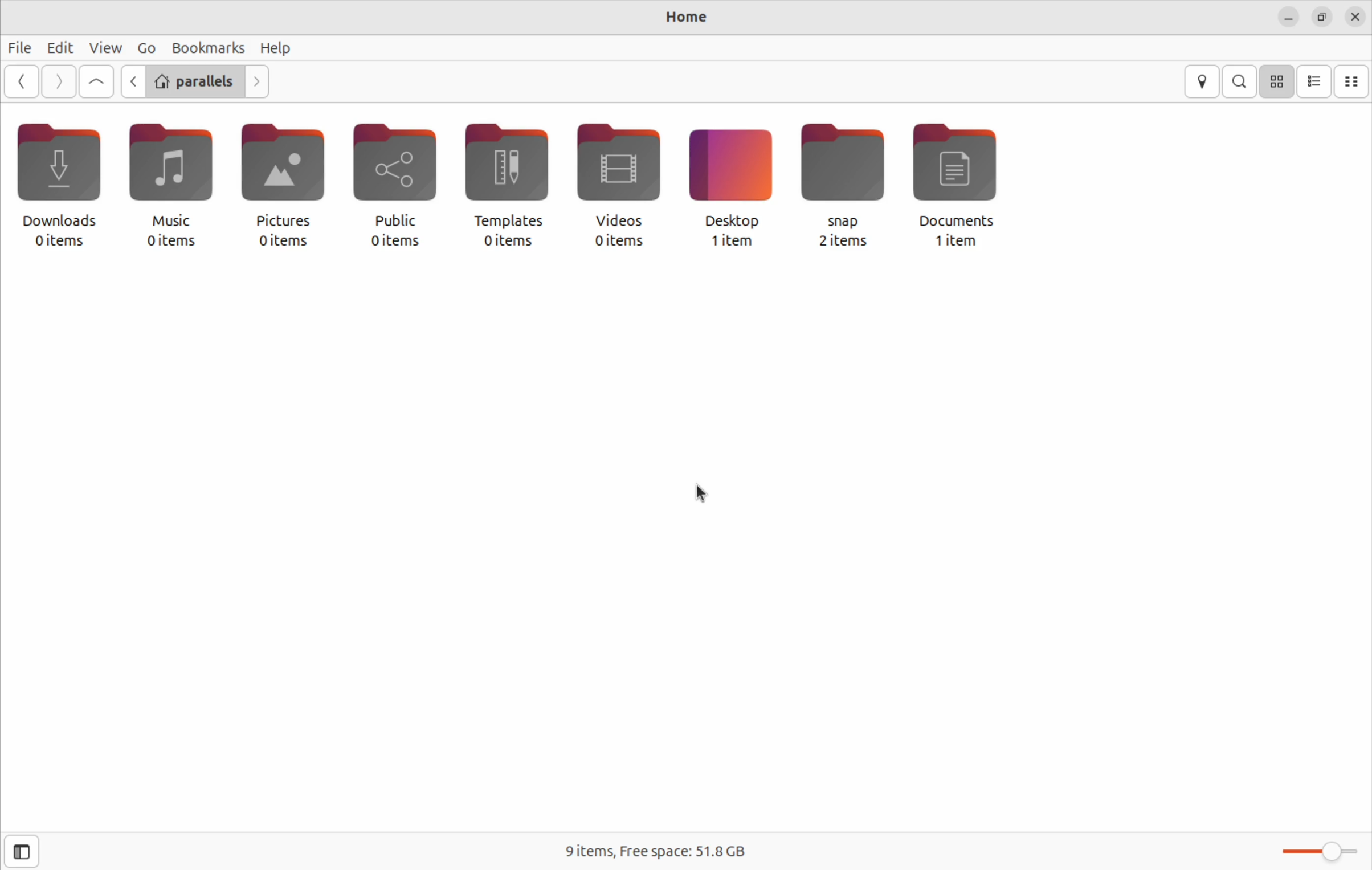 This screenshot has height=870, width=1372. Describe the element at coordinates (1278, 80) in the screenshot. I see `icon view` at that location.